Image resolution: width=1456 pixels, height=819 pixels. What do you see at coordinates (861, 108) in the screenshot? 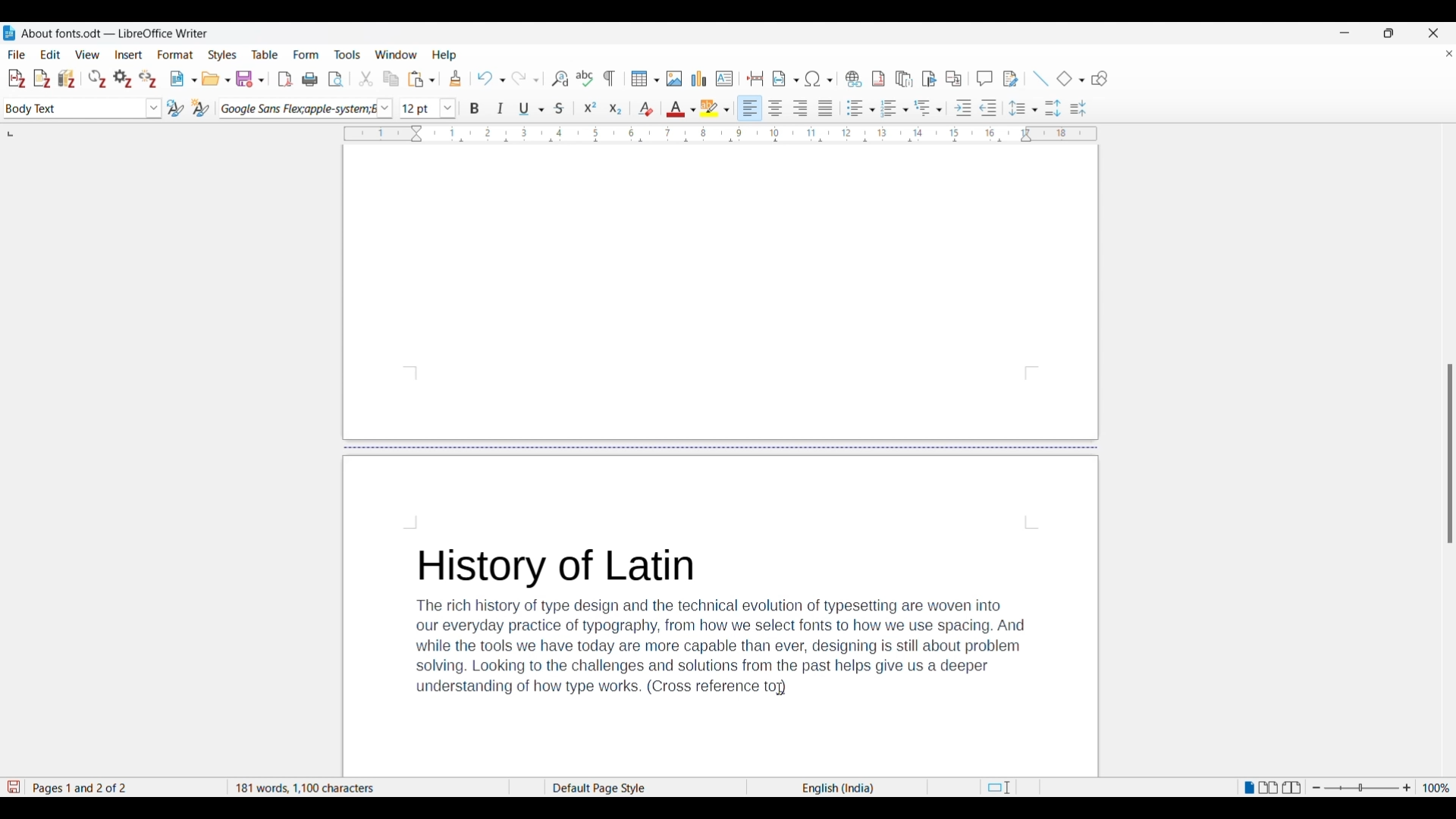
I see `Toggle unordered list` at bounding box center [861, 108].